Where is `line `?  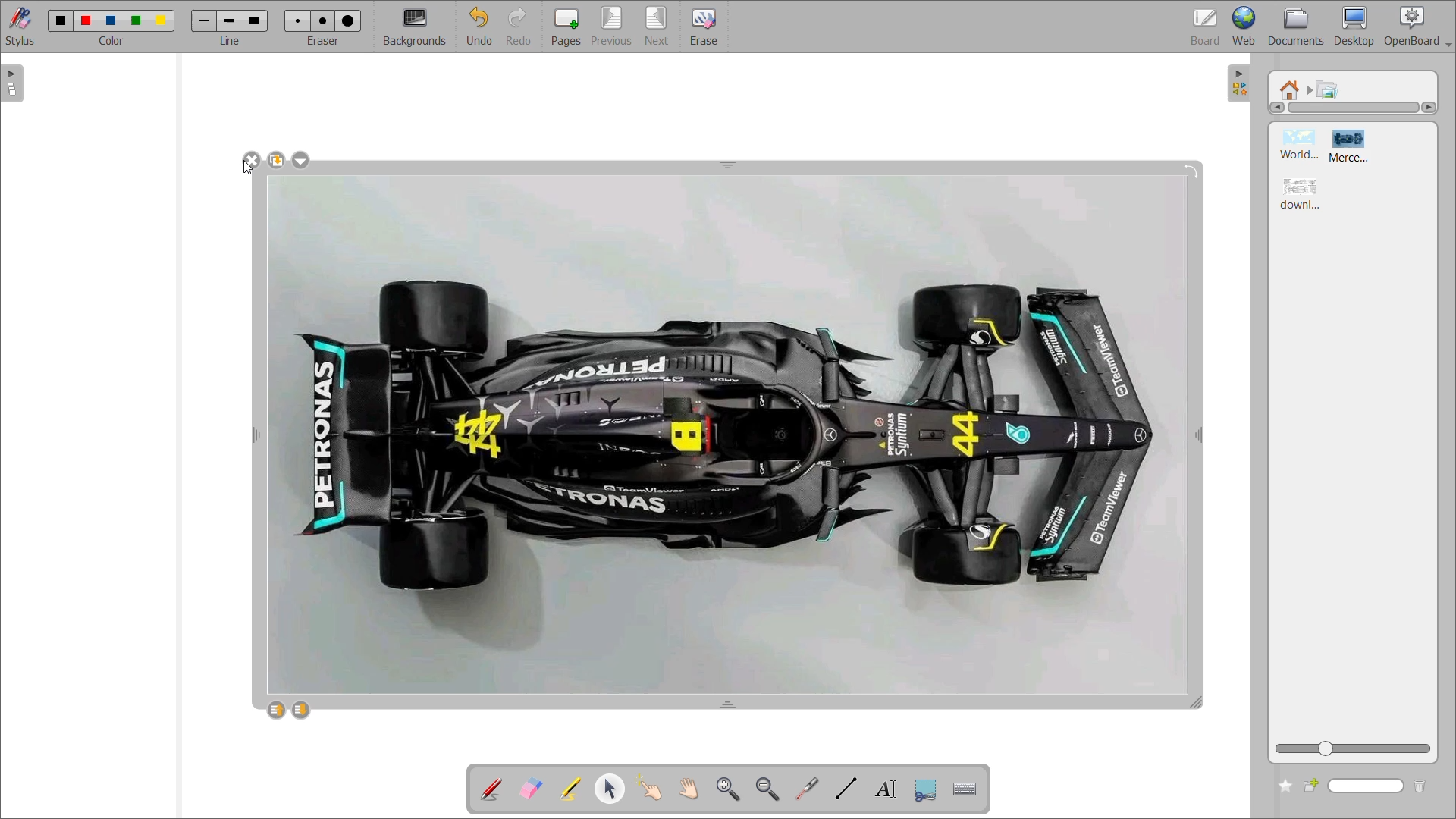 line  is located at coordinates (231, 46).